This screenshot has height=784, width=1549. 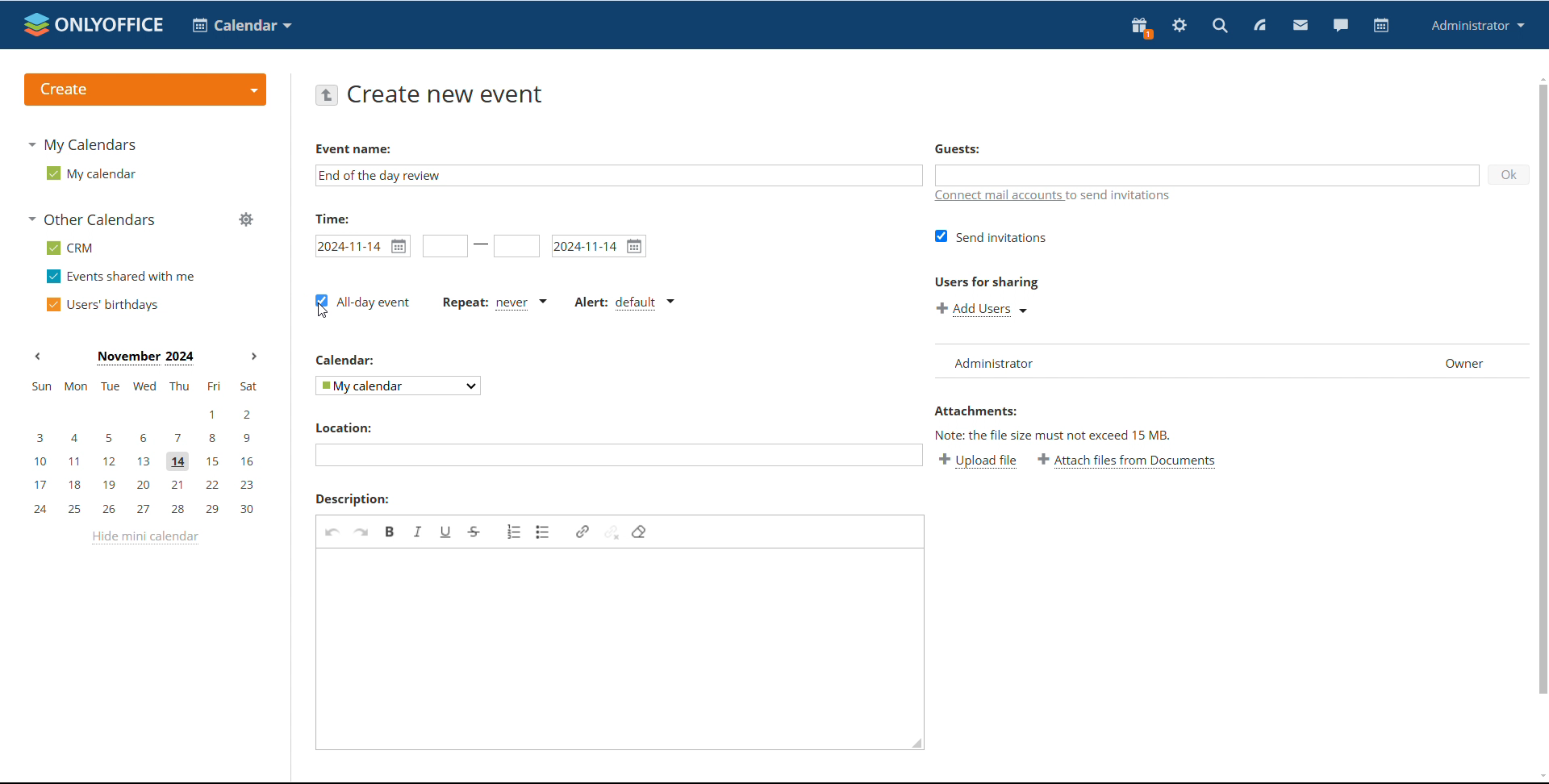 I want to click on unlink, so click(x=612, y=531).